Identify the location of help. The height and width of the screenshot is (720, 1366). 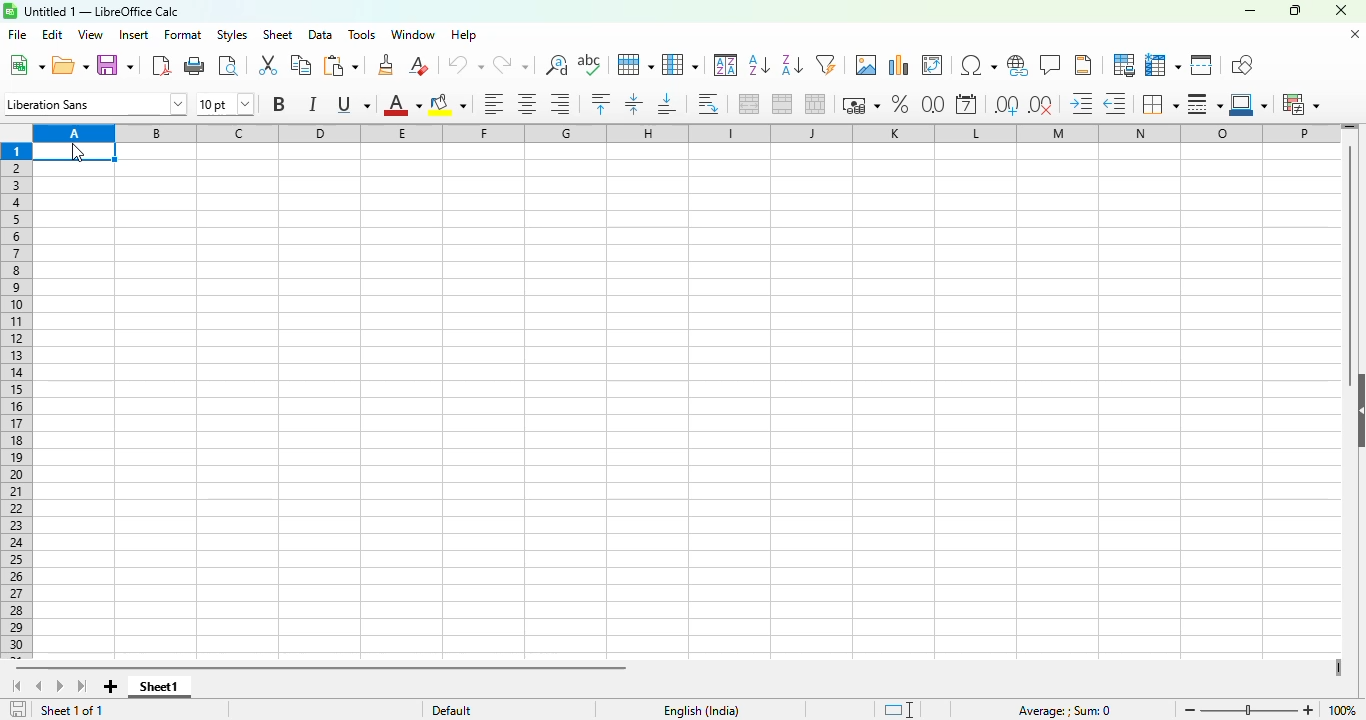
(464, 35).